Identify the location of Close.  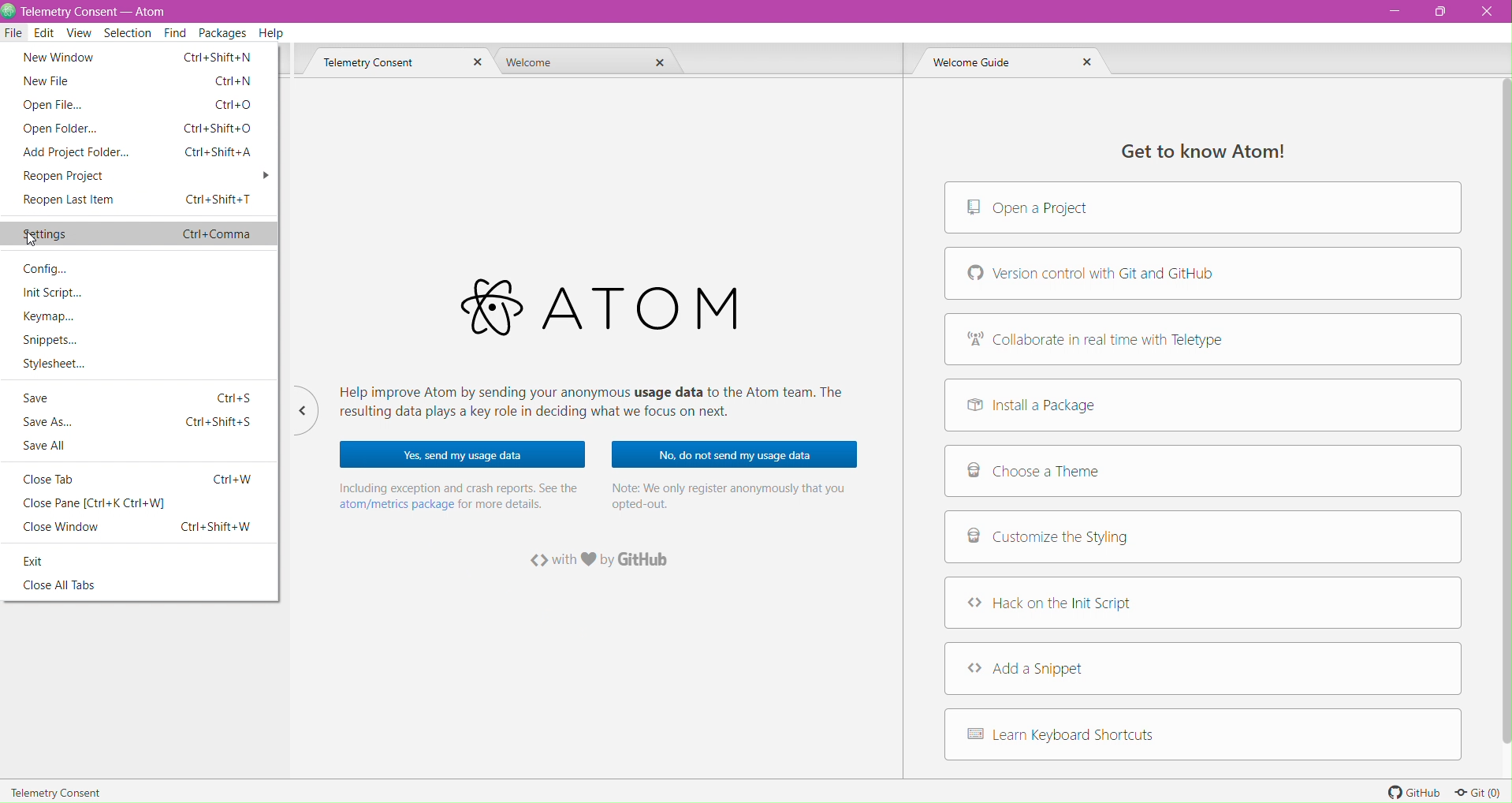
(1086, 65).